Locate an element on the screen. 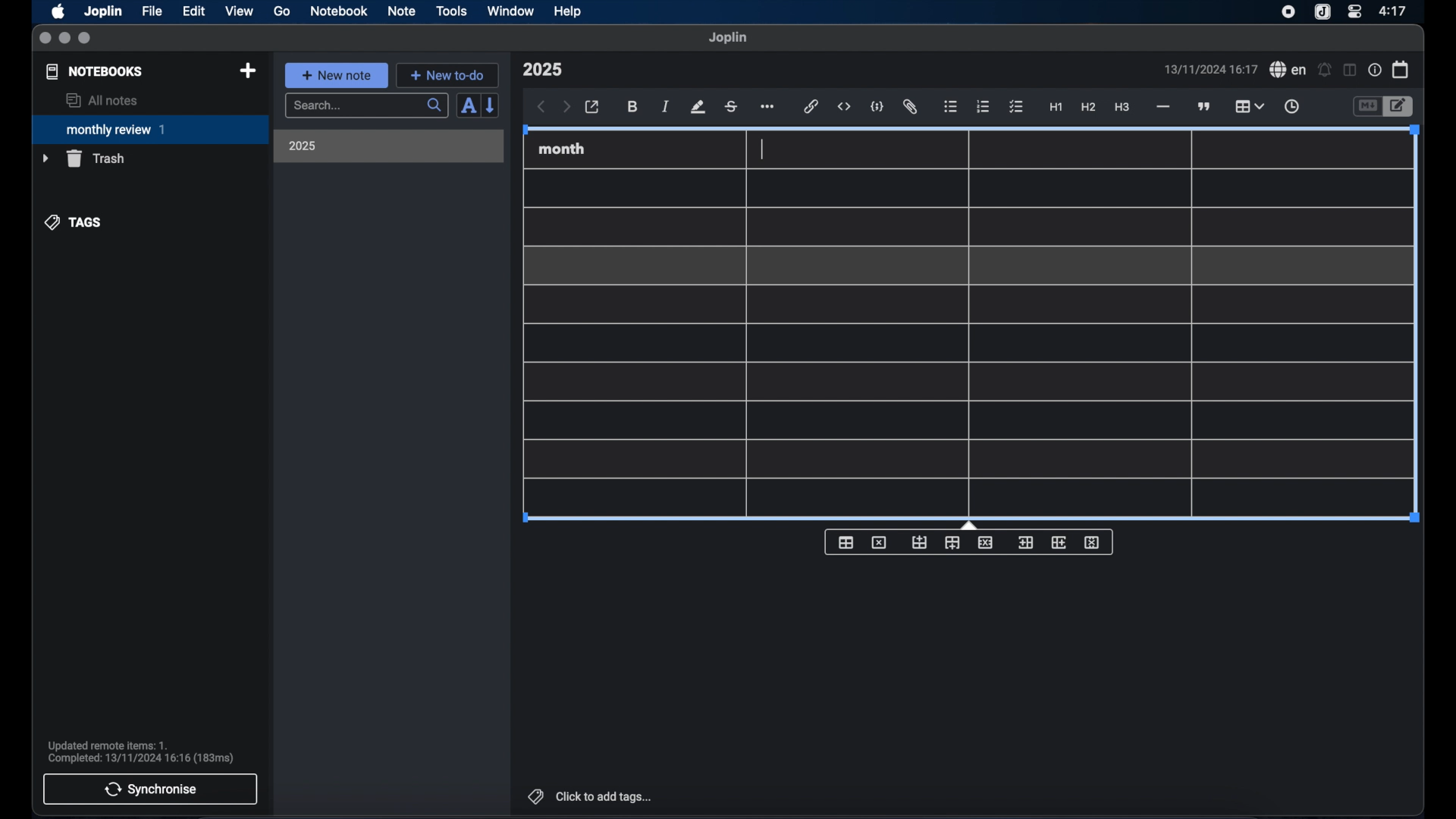 This screenshot has width=1456, height=819. sort order field is located at coordinates (468, 106).